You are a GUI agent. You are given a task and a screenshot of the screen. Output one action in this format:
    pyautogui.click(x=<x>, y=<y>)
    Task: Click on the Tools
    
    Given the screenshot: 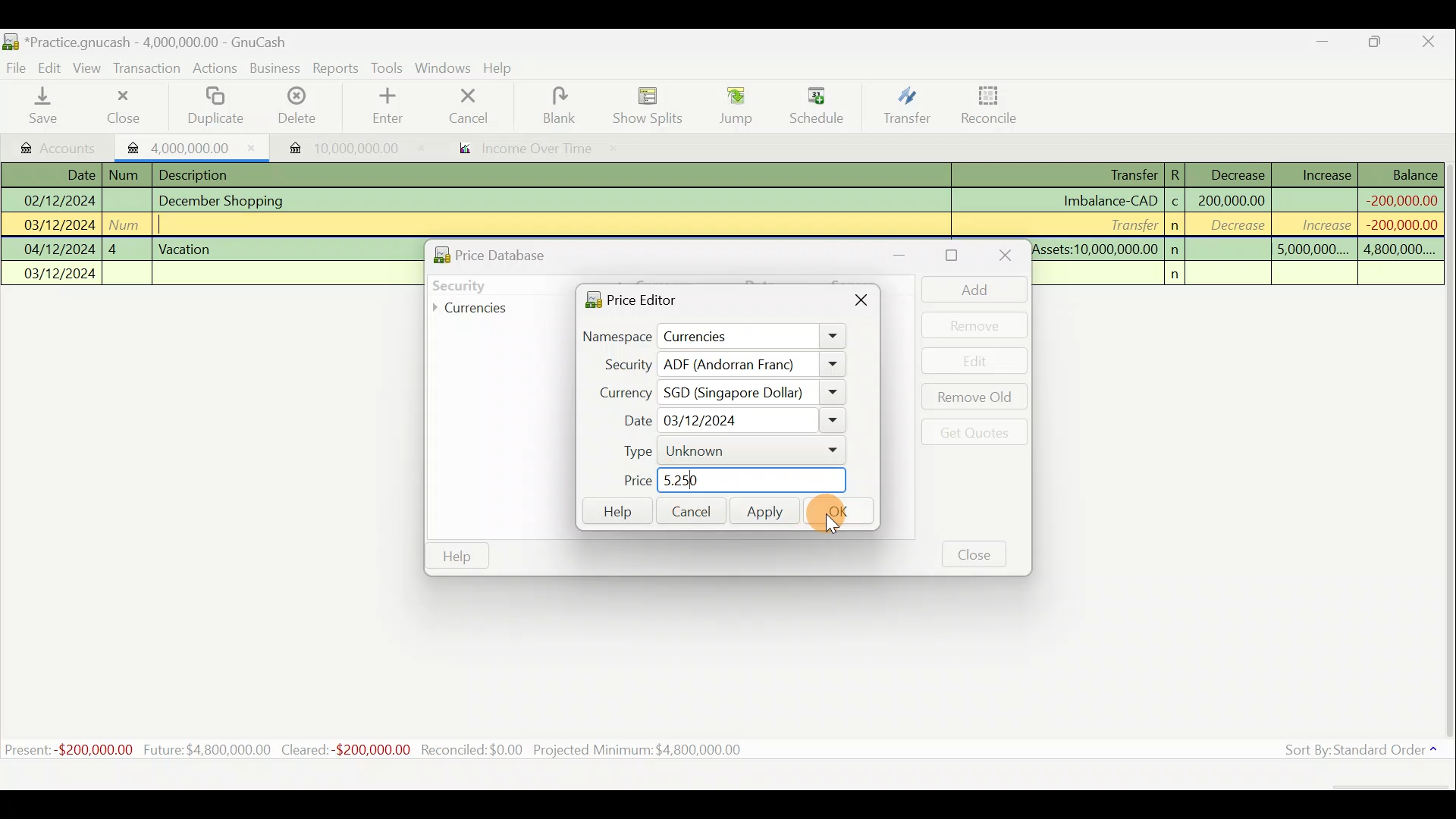 What is the action you would take?
    pyautogui.click(x=388, y=67)
    